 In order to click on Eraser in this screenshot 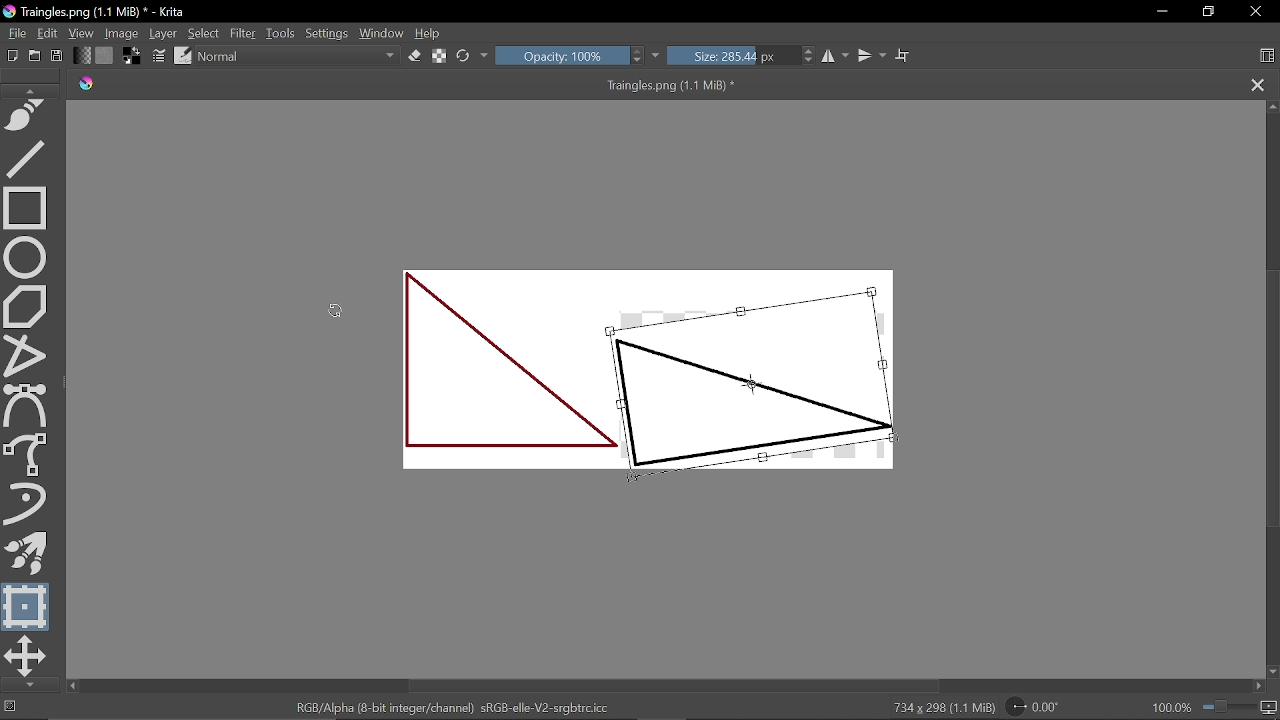, I will do `click(416, 56)`.